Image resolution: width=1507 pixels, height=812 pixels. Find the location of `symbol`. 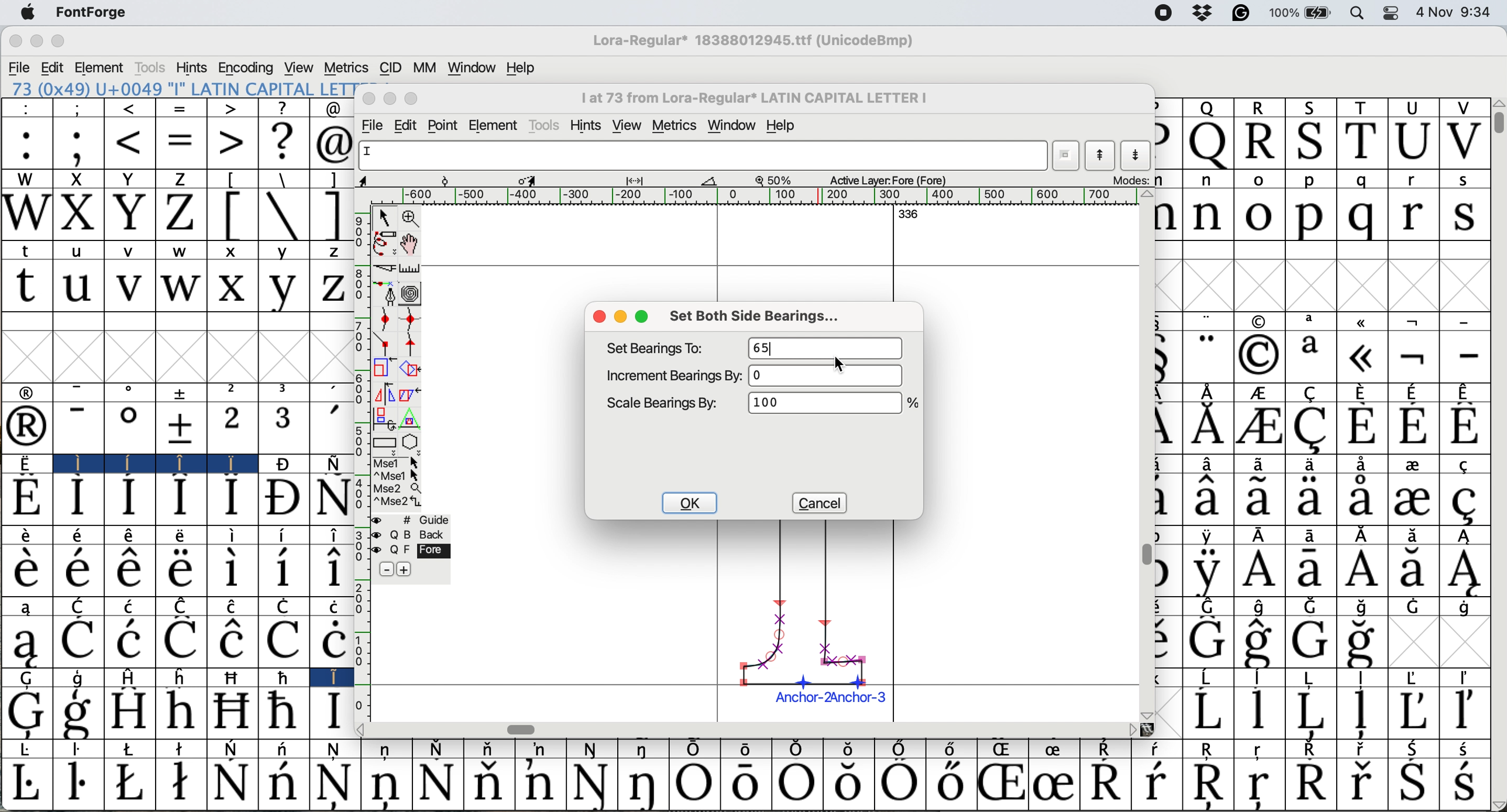

symbol is located at coordinates (183, 392).